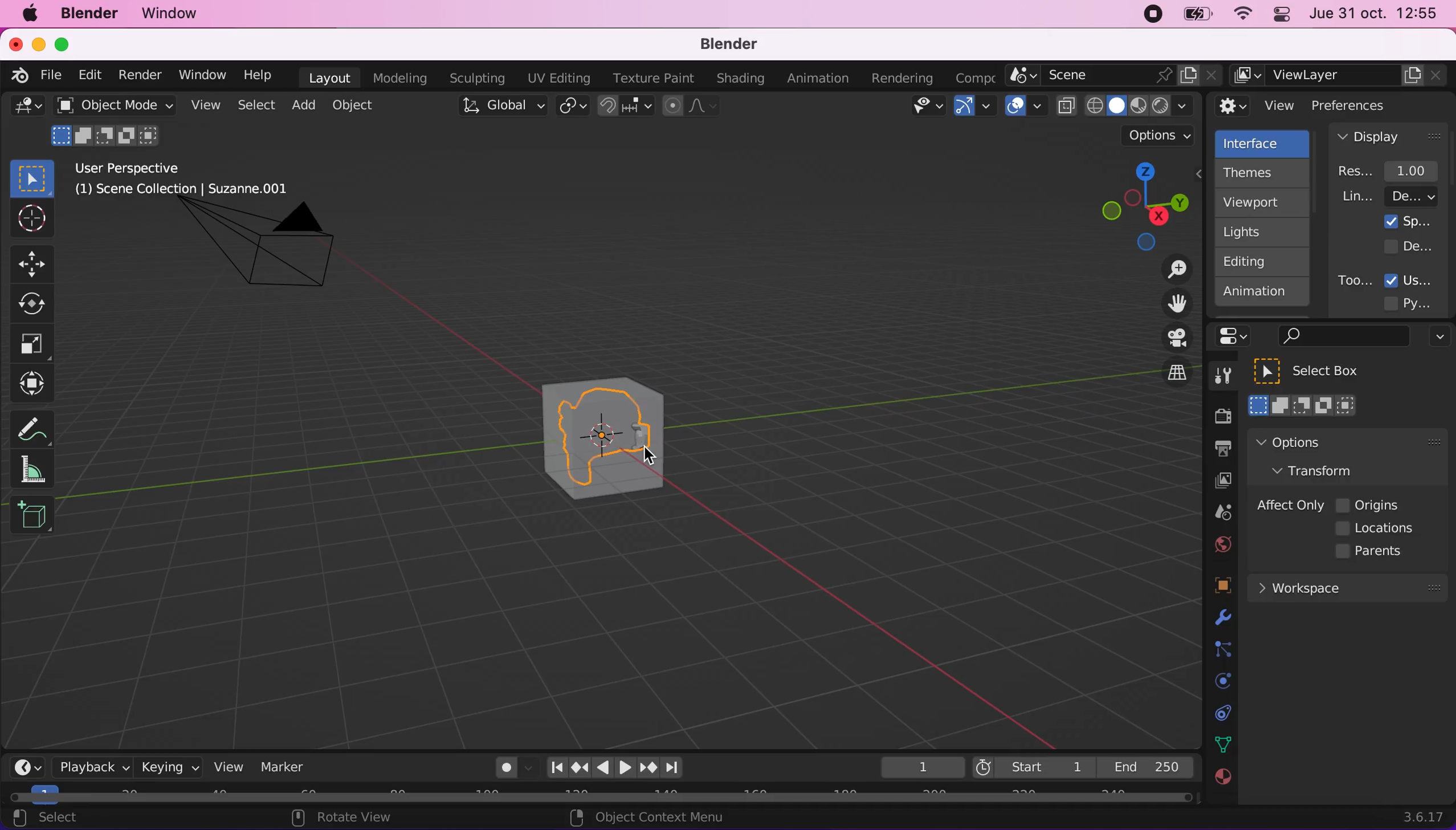  I want to click on texture paint, so click(651, 78).